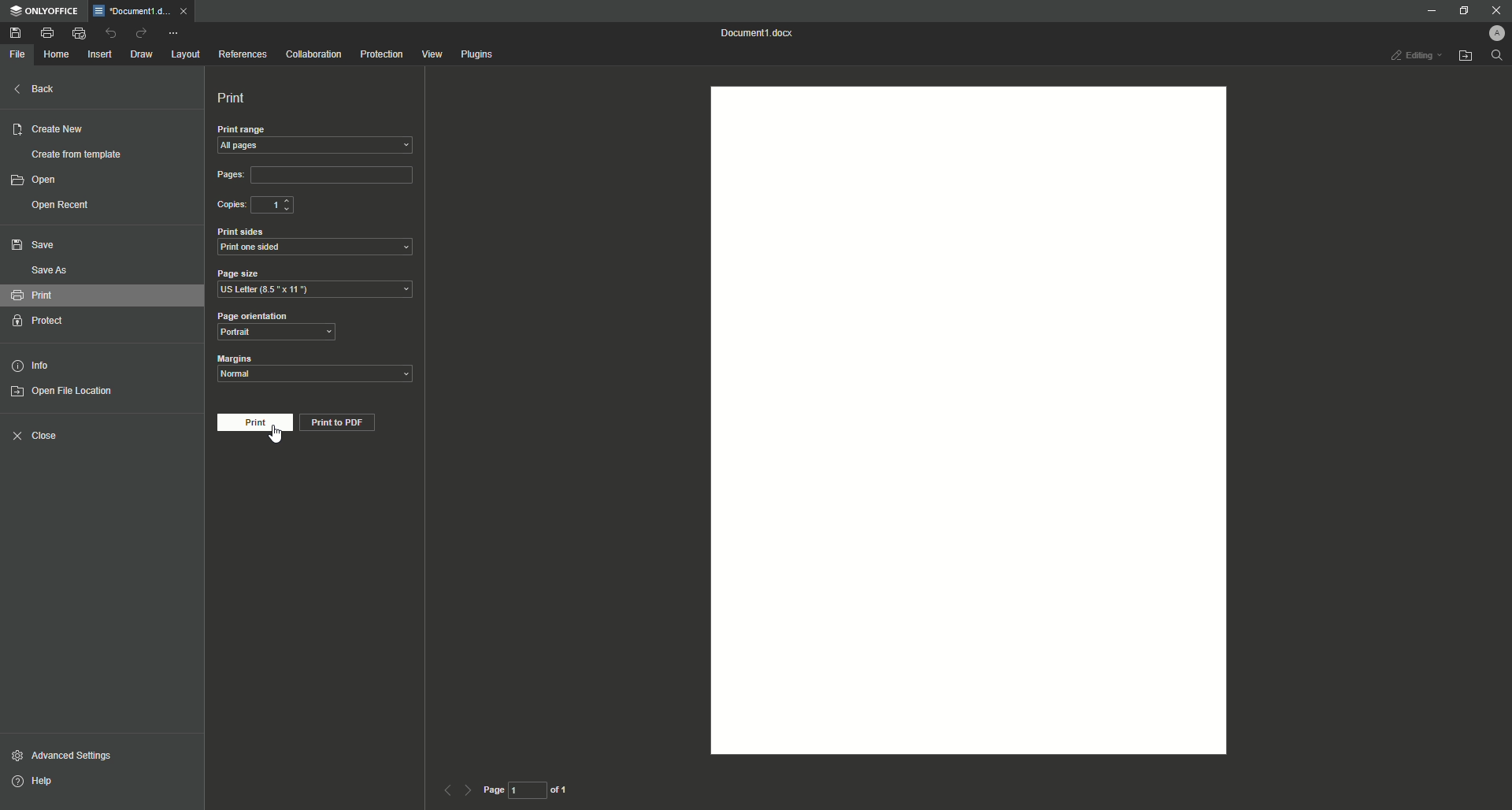  What do you see at coordinates (20, 53) in the screenshot?
I see `File` at bounding box center [20, 53].